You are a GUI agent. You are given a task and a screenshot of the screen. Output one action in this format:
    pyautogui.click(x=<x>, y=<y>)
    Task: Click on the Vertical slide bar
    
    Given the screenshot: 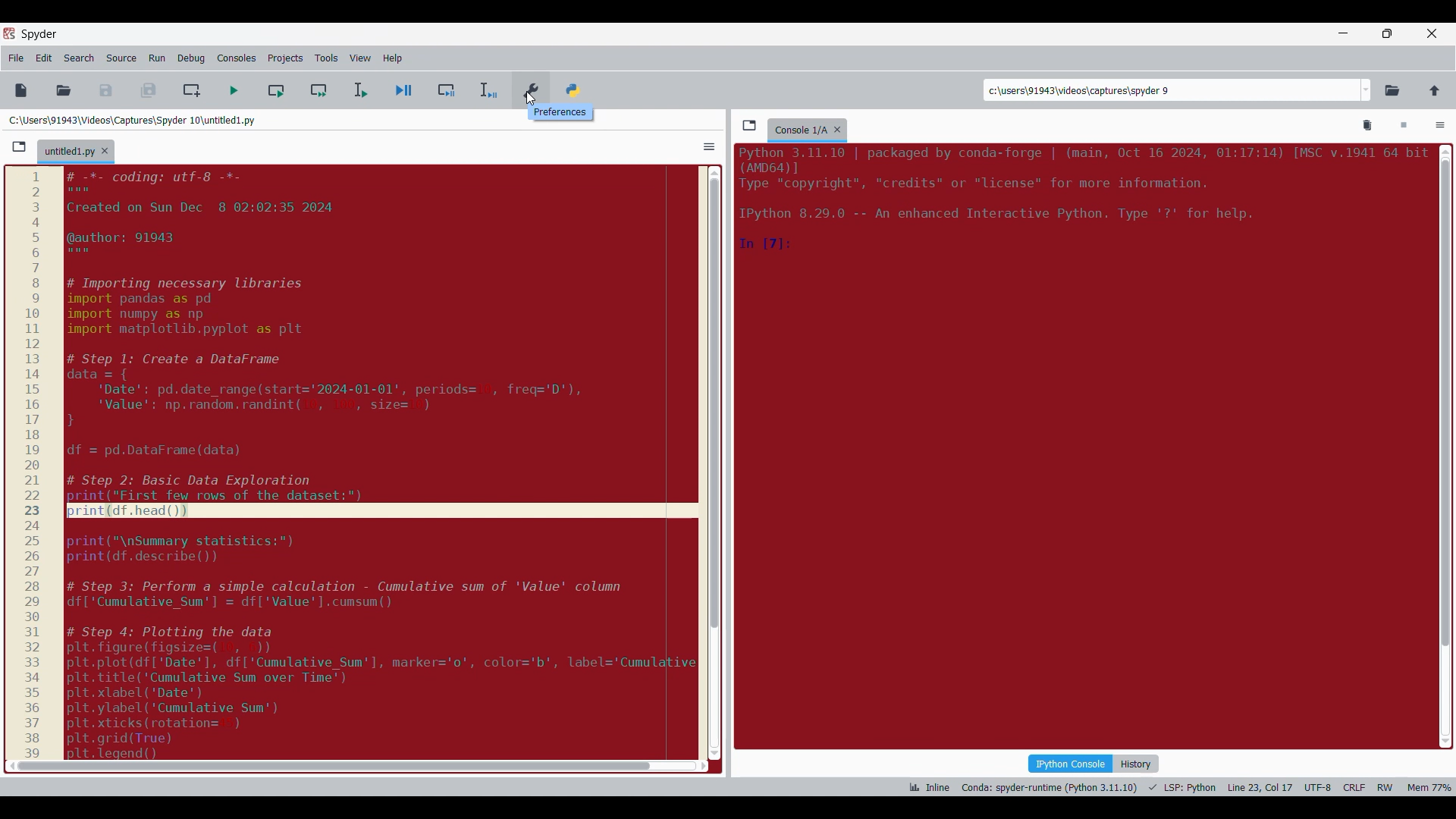 What is the action you would take?
    pyautogui.click(x=714, y=463)
    